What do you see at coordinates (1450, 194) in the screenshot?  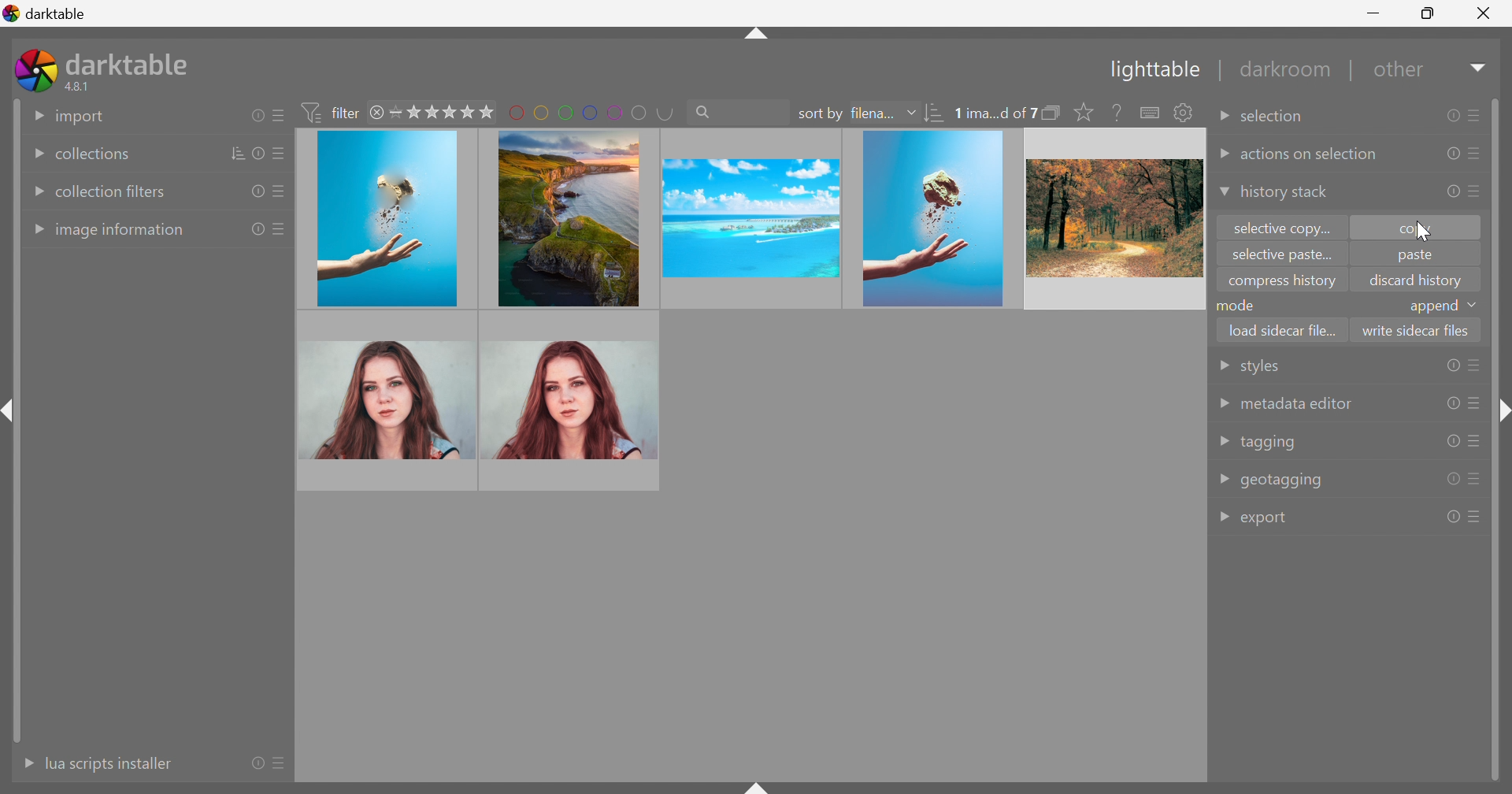 I see `reset` at bounding box center [1450, 194].